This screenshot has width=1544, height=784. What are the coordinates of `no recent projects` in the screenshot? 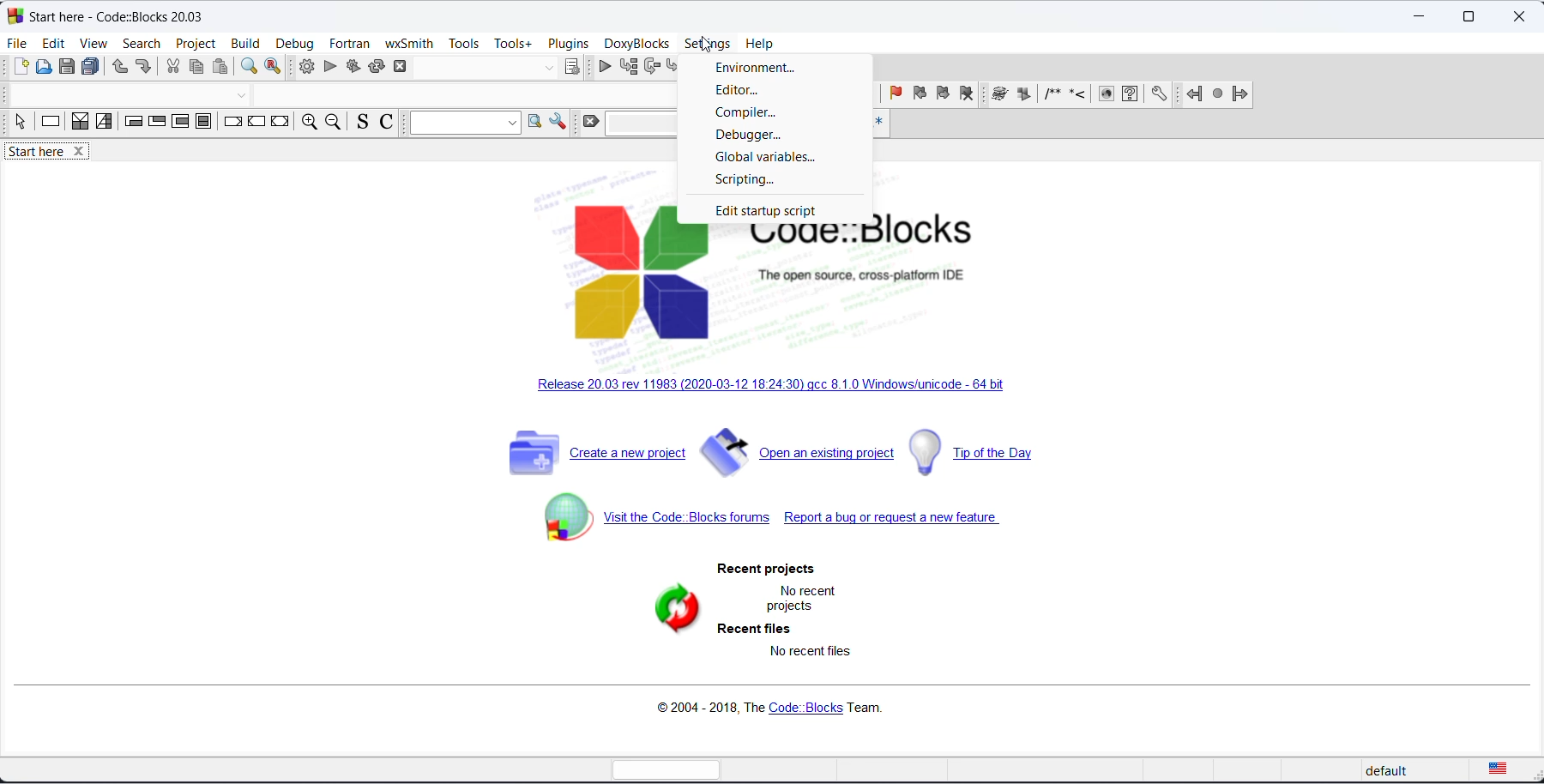 It's located at (804, 601).